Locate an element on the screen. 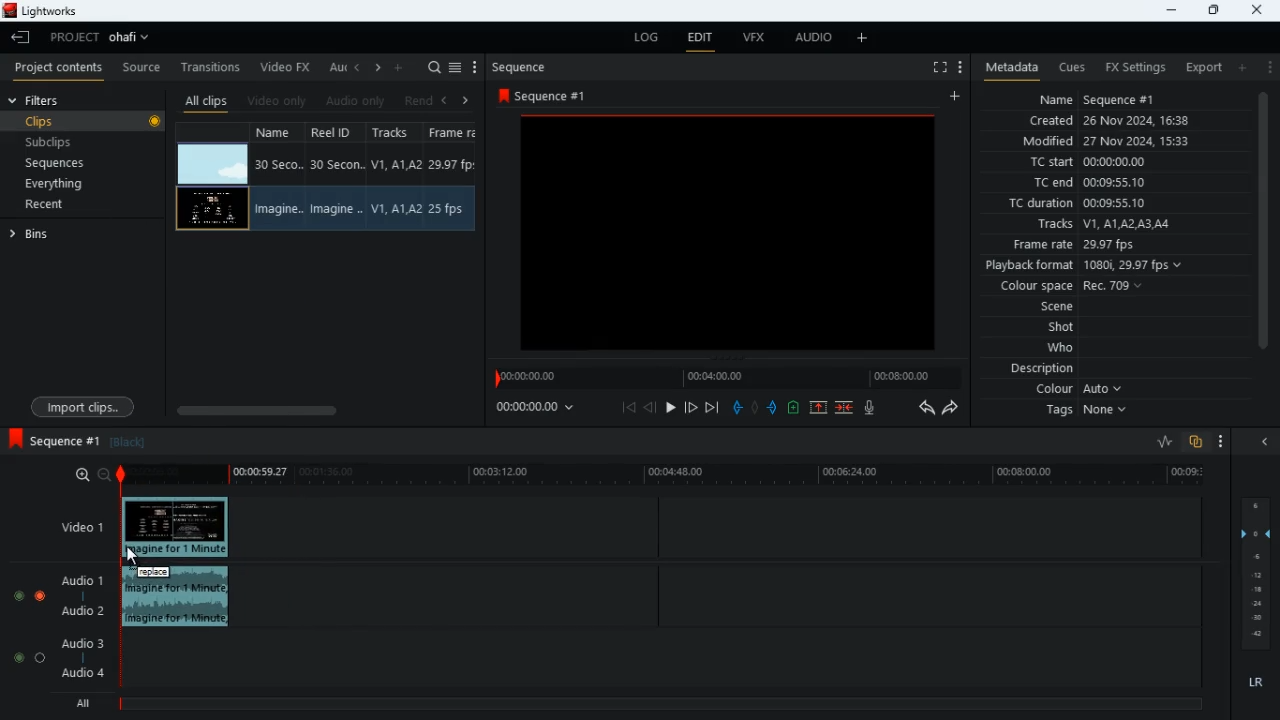  scene is located at coordinates (1047, 307).